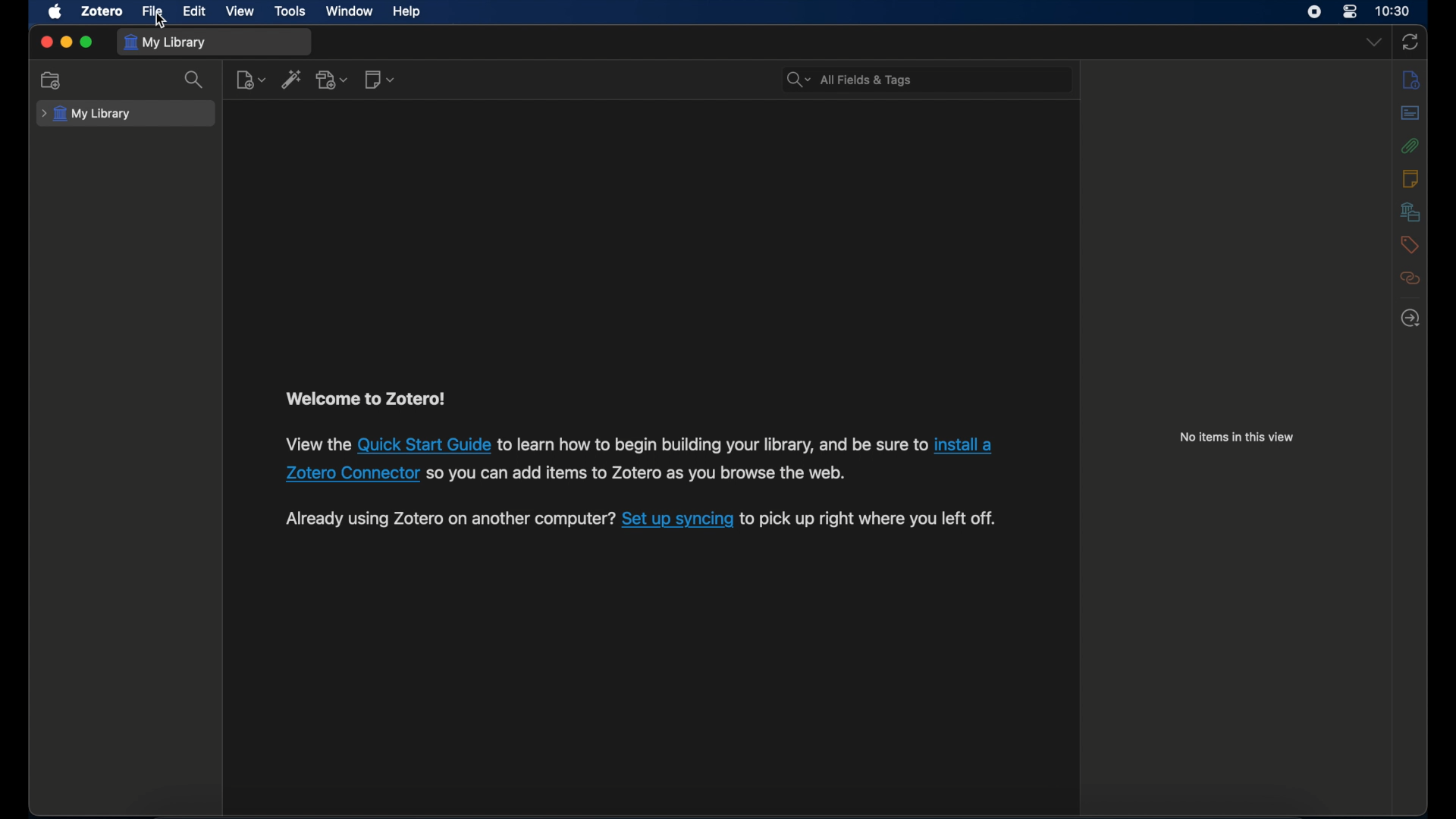 This screenshot has height=819, width=1456. What do you see at coordinates (350, 11) in the screenshot?
I see `window` at bounding box center [350, 11].